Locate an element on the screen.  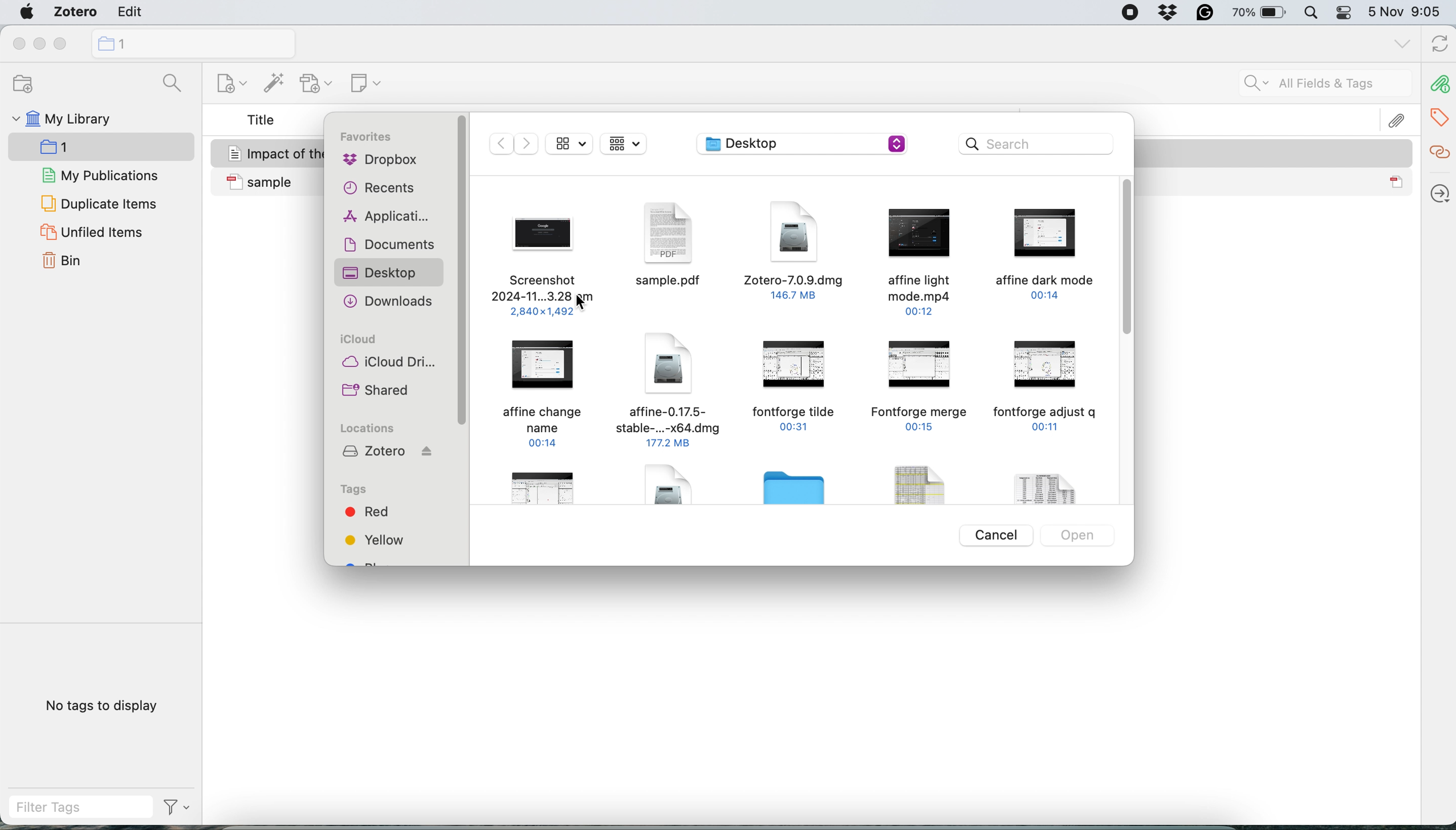
sample.pdf is located at coordinates (671, 246).